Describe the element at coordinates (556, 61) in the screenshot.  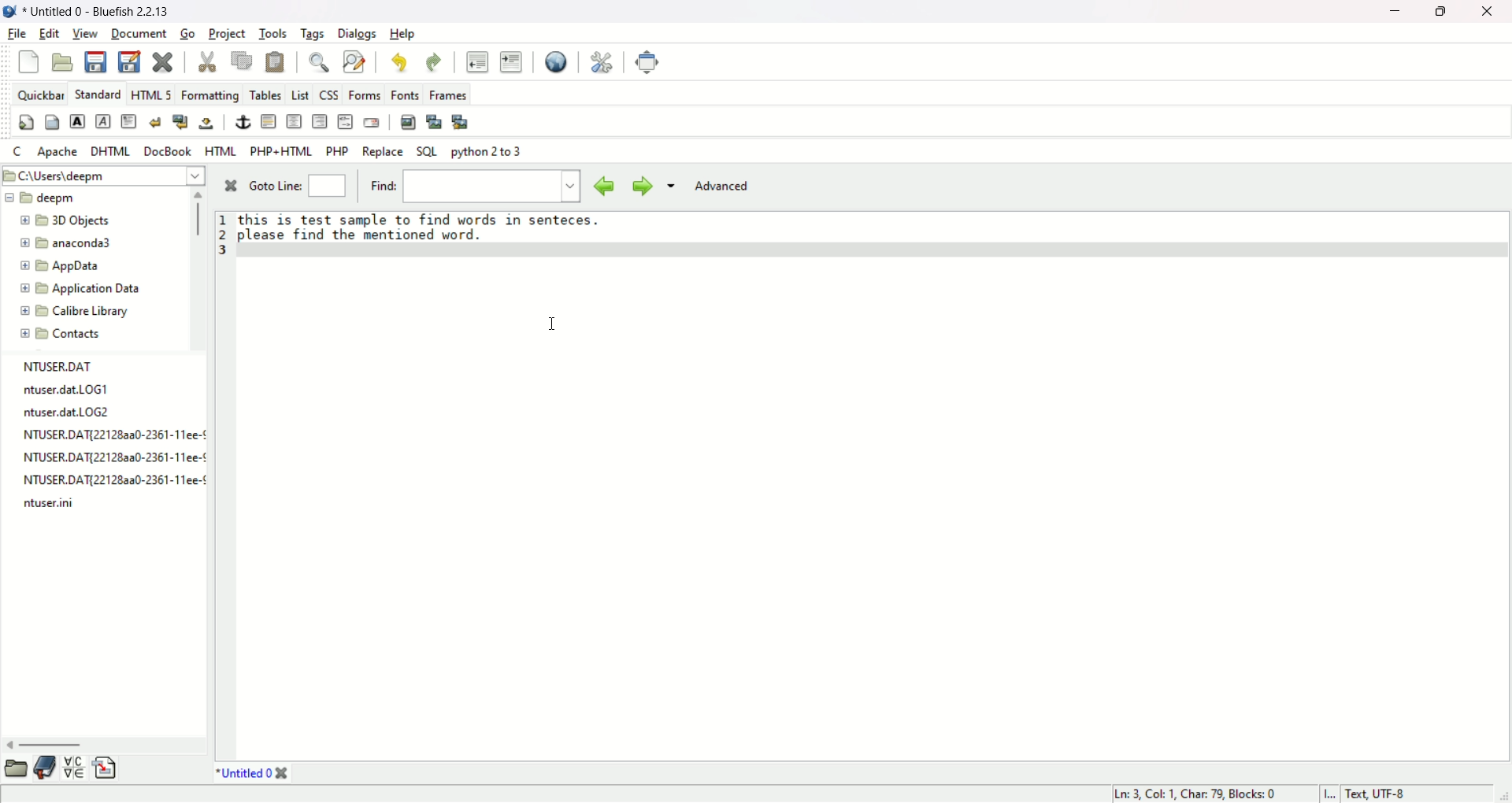
I see `preview in browser` at that location.